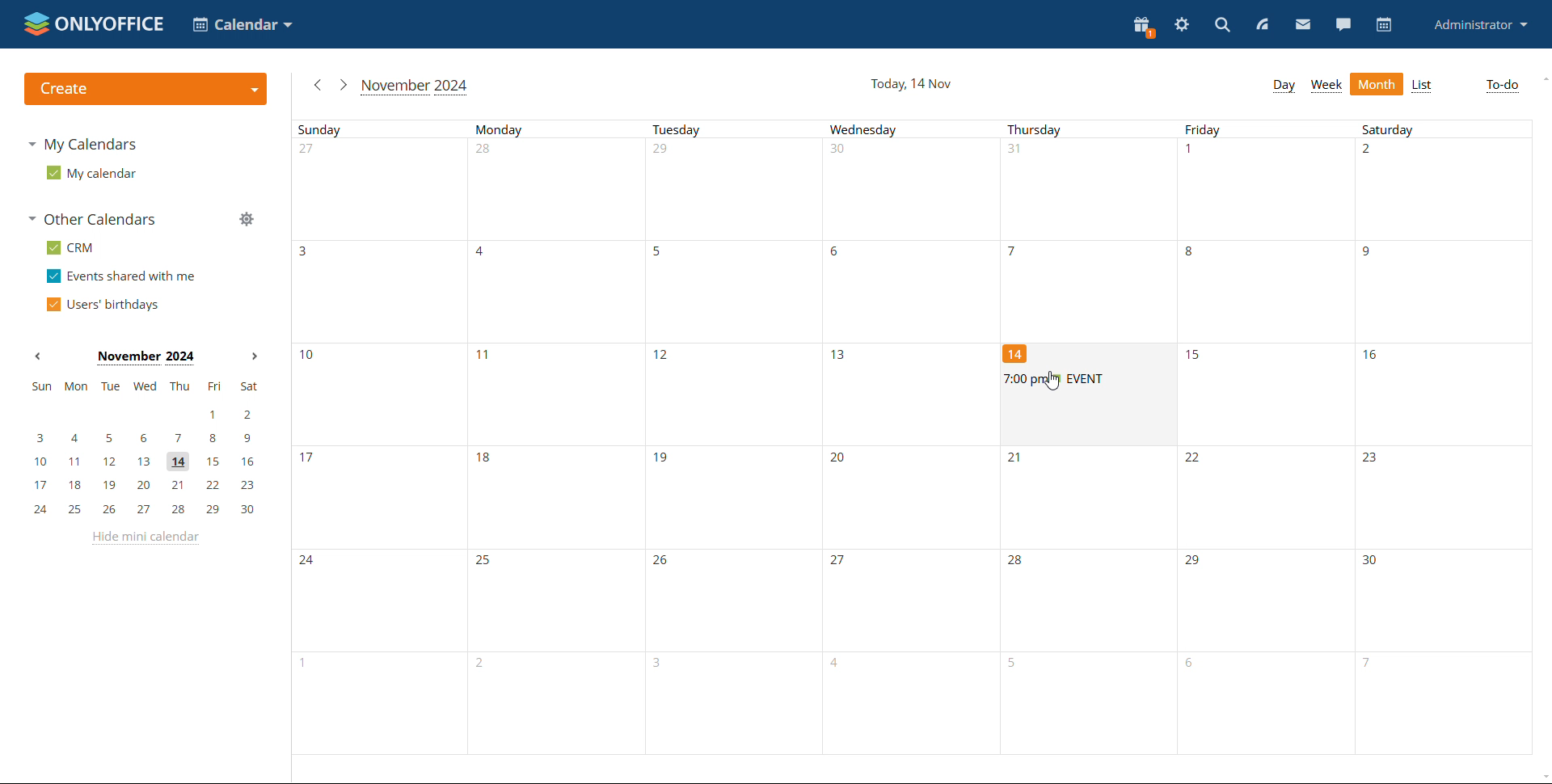  What do you see at coordinates (665, 460) in the screenshot?
I see `number` at bounding box center [665, 460].